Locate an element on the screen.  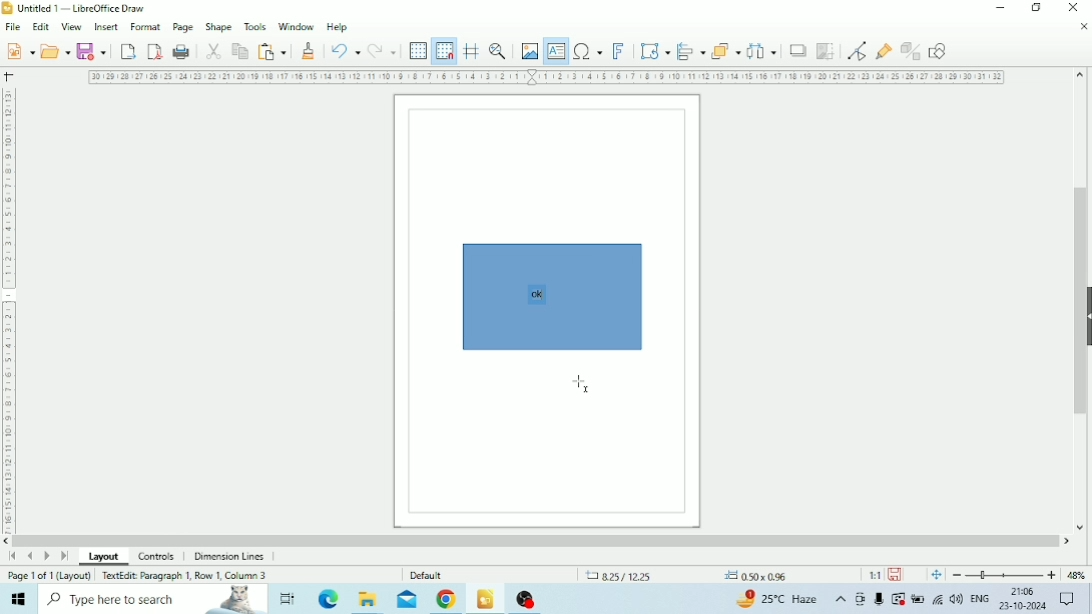
Page 1 of 1 (Layout) is located at coordinates (48, 575).